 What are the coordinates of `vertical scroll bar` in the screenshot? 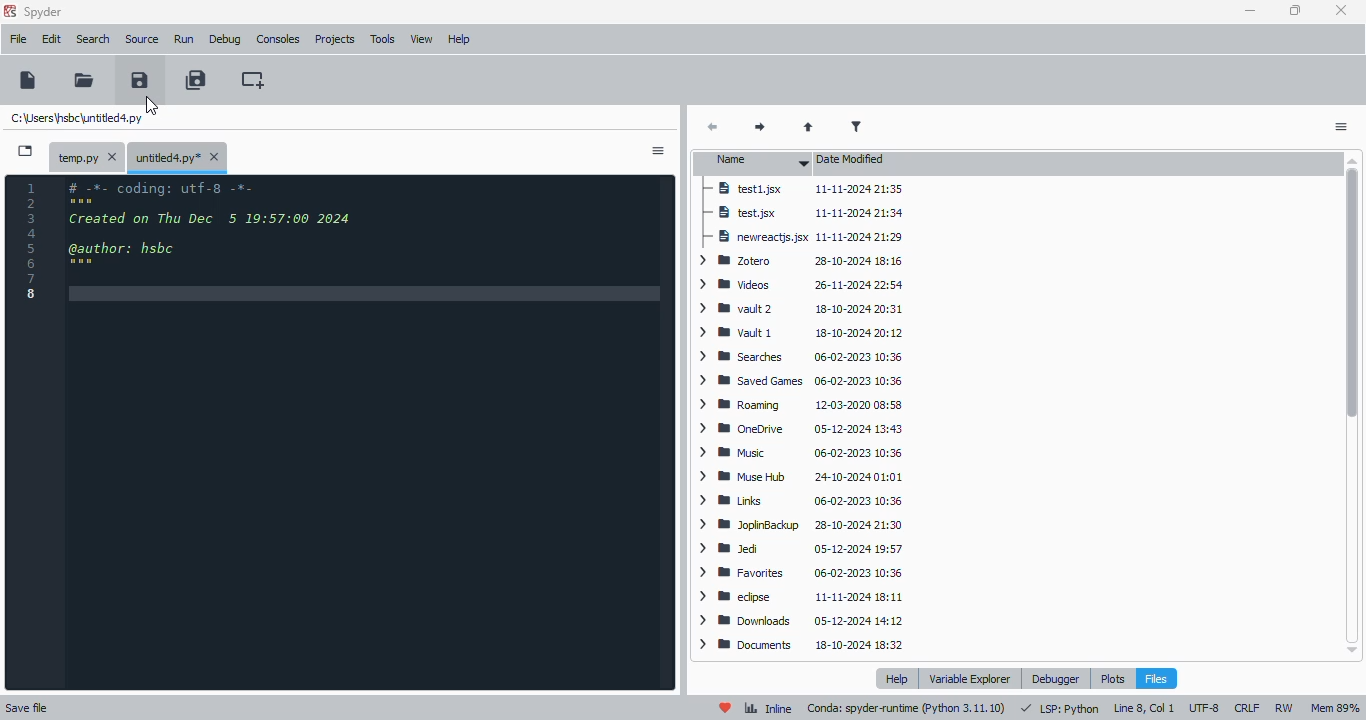 It's located at (1351, 292).